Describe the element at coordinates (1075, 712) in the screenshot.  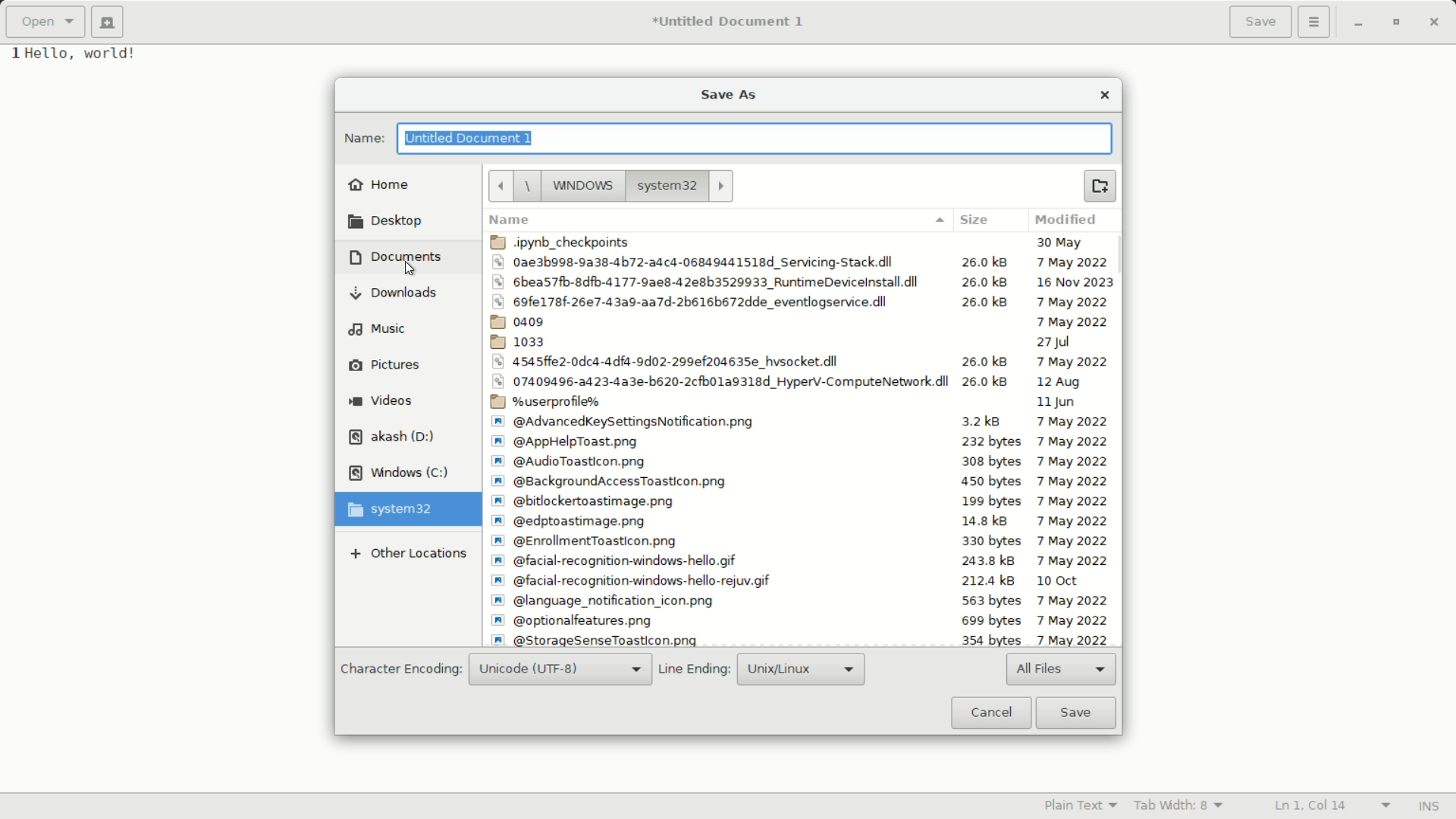
I see `save` at that location.